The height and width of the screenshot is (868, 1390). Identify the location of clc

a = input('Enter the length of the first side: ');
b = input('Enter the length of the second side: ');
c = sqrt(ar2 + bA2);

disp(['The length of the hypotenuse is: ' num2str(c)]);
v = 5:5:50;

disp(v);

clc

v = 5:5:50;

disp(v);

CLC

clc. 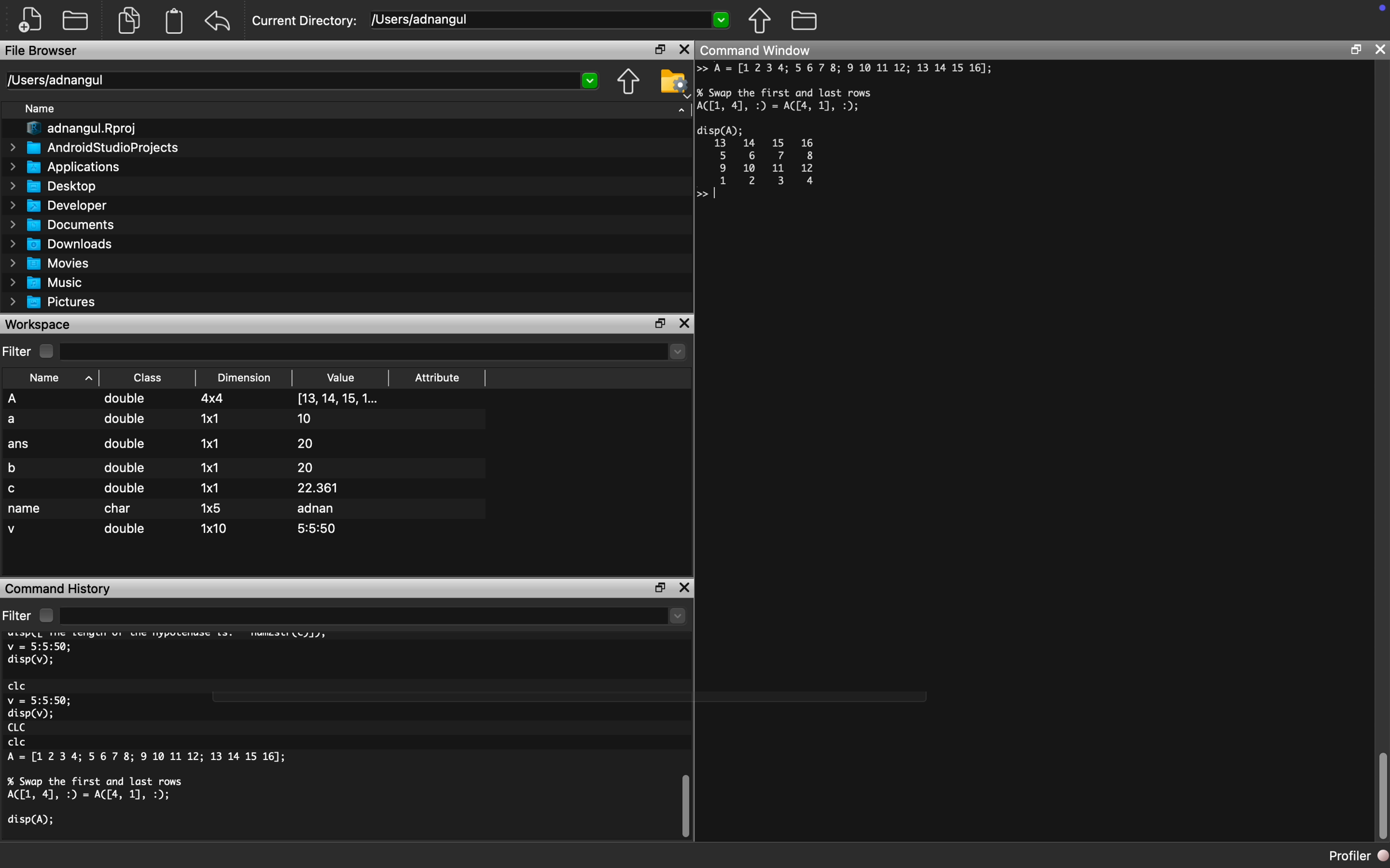
(206, 741).